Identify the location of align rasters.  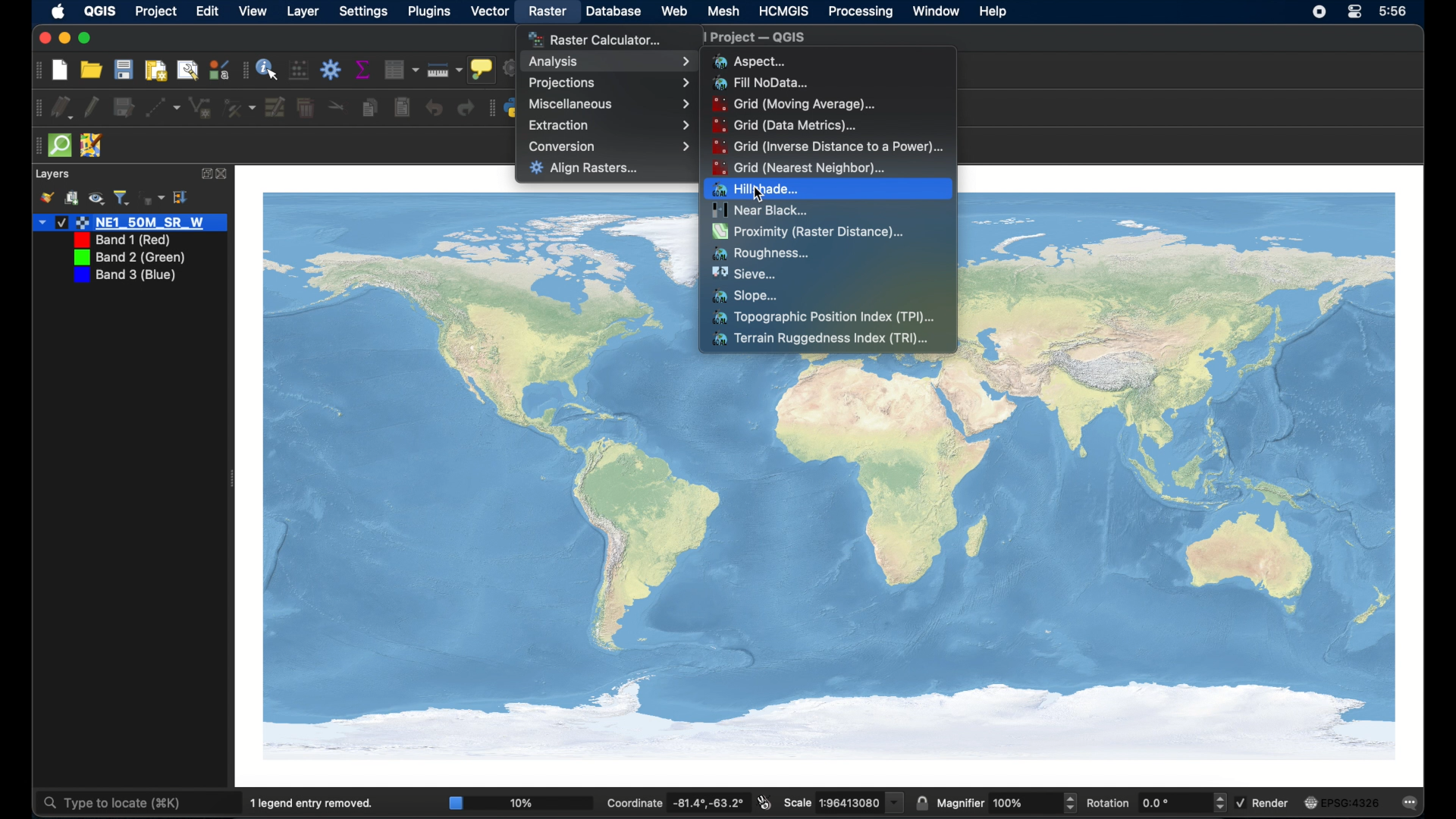
(584, 169).